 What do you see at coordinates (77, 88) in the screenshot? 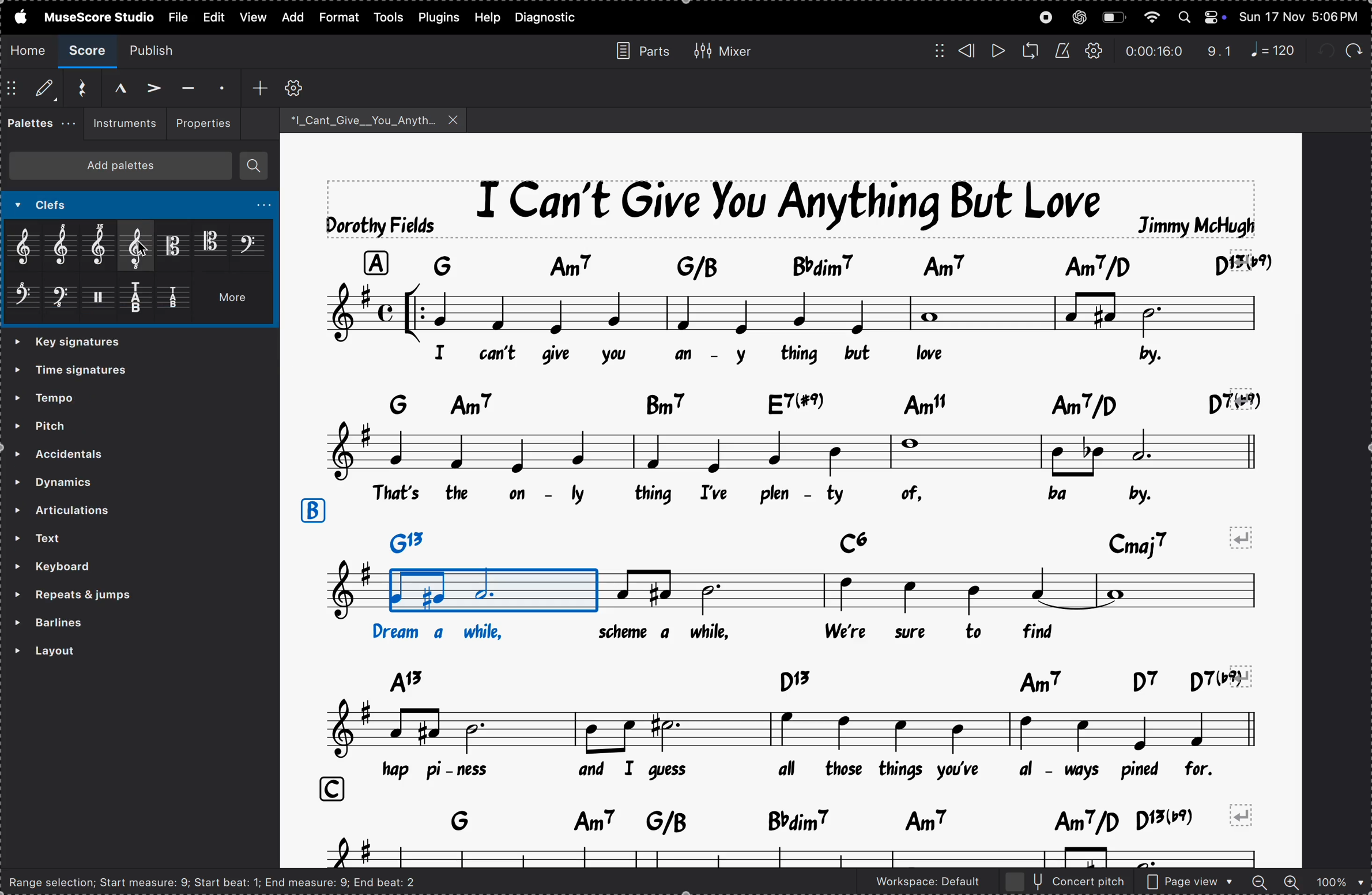
I see `reset` at bounding box center [77, 88].